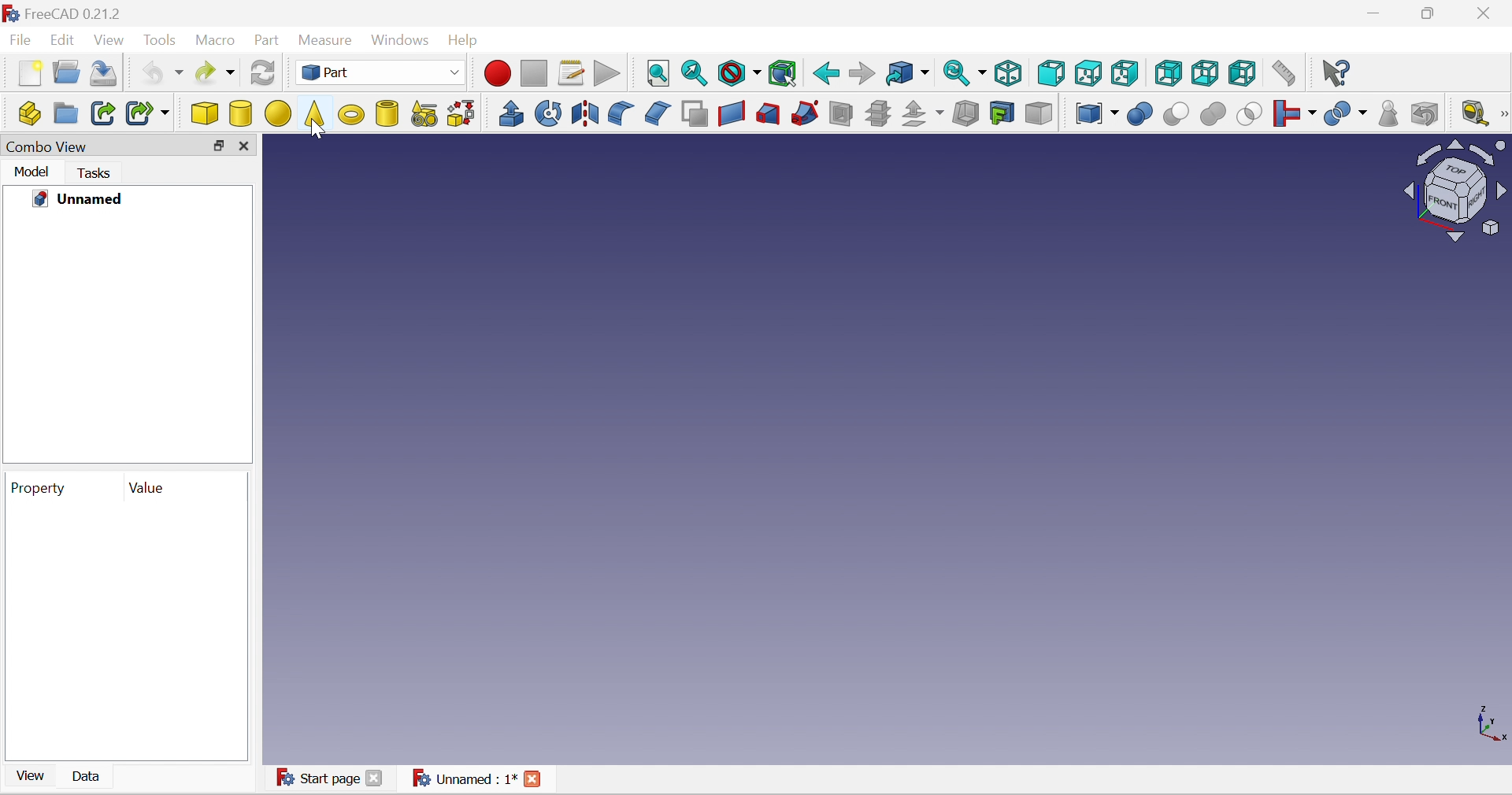 Image resolution: width=1512 pixels, height=795 pixels. Describe the element at coordinates (1051, 74) in the screenshot. I see `Front` at that location.